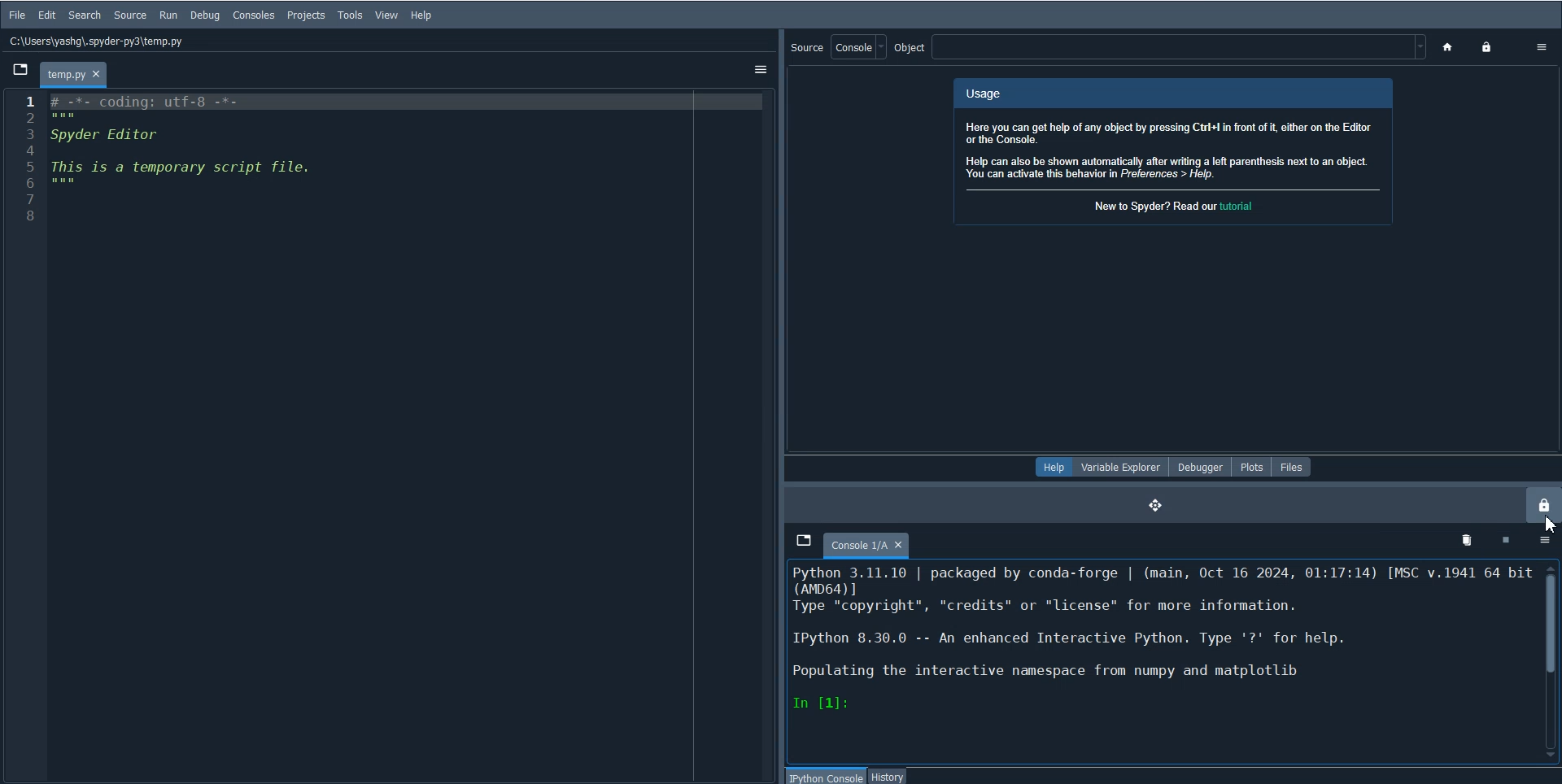  Describe the element at coordinates (1246, 205) in the screenshot. I see `hyperlink for tutorial` at that location.